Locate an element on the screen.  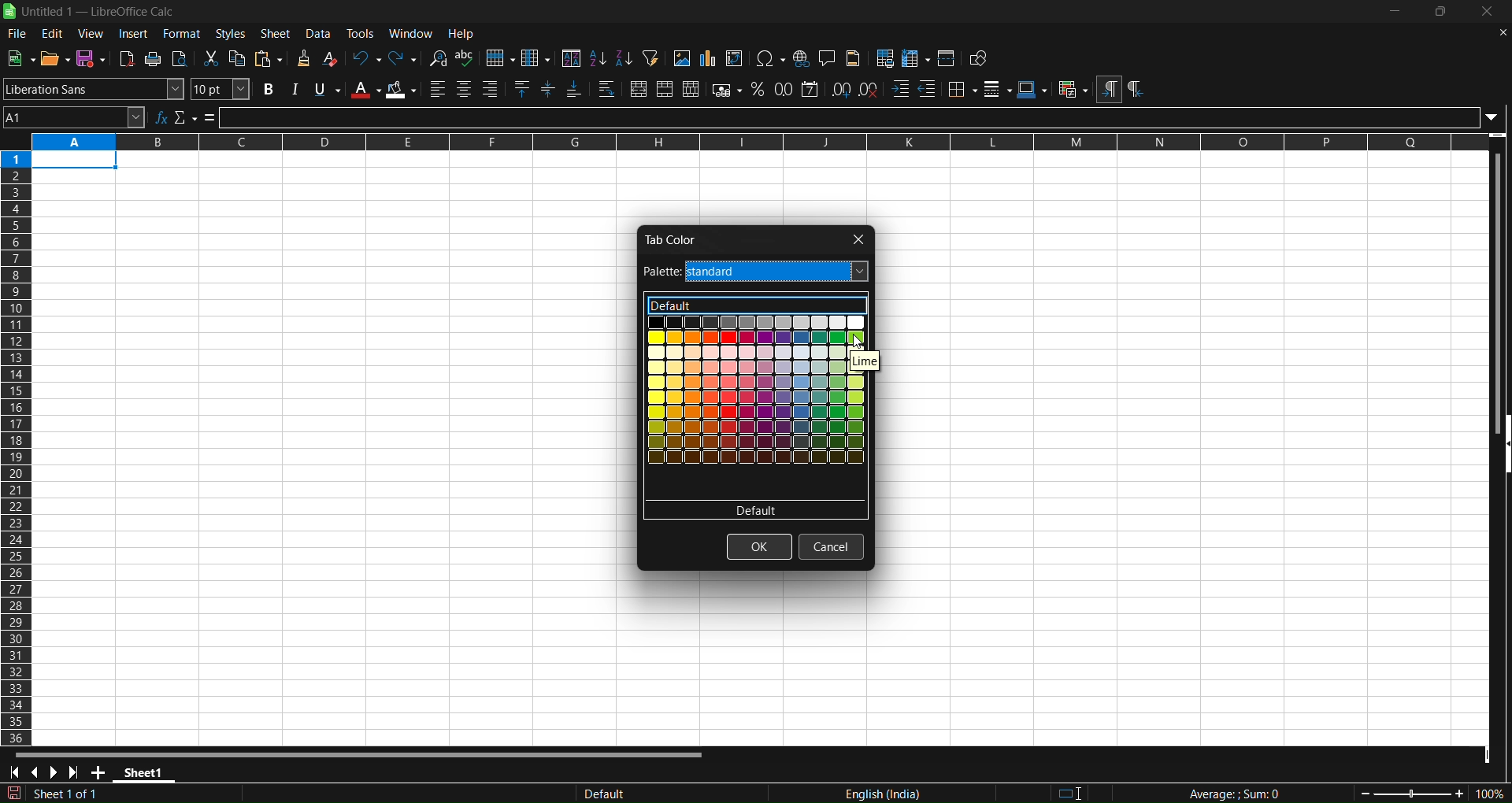
styles is located at coordinates (231, 33).